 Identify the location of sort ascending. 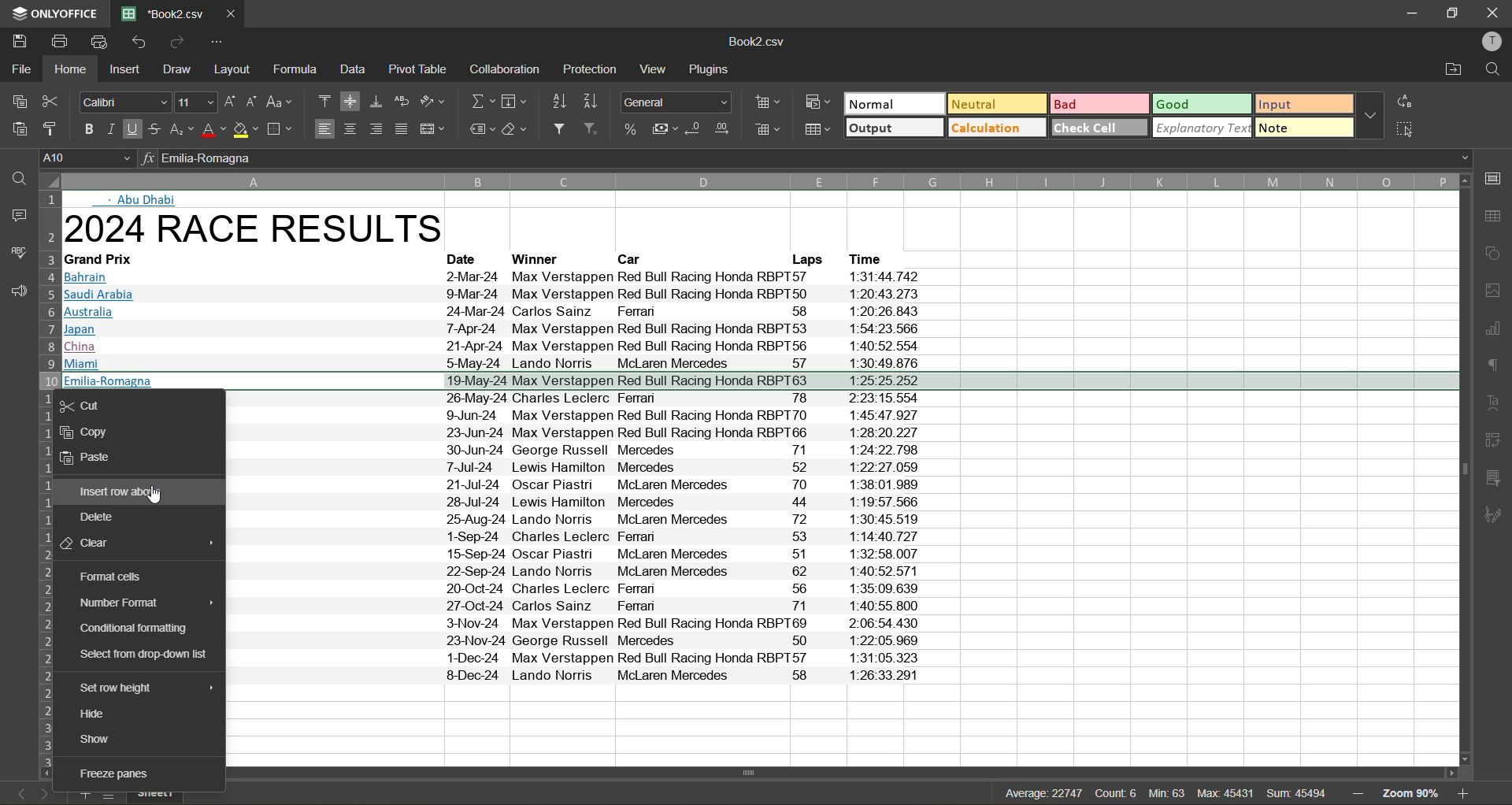
(557, 101).